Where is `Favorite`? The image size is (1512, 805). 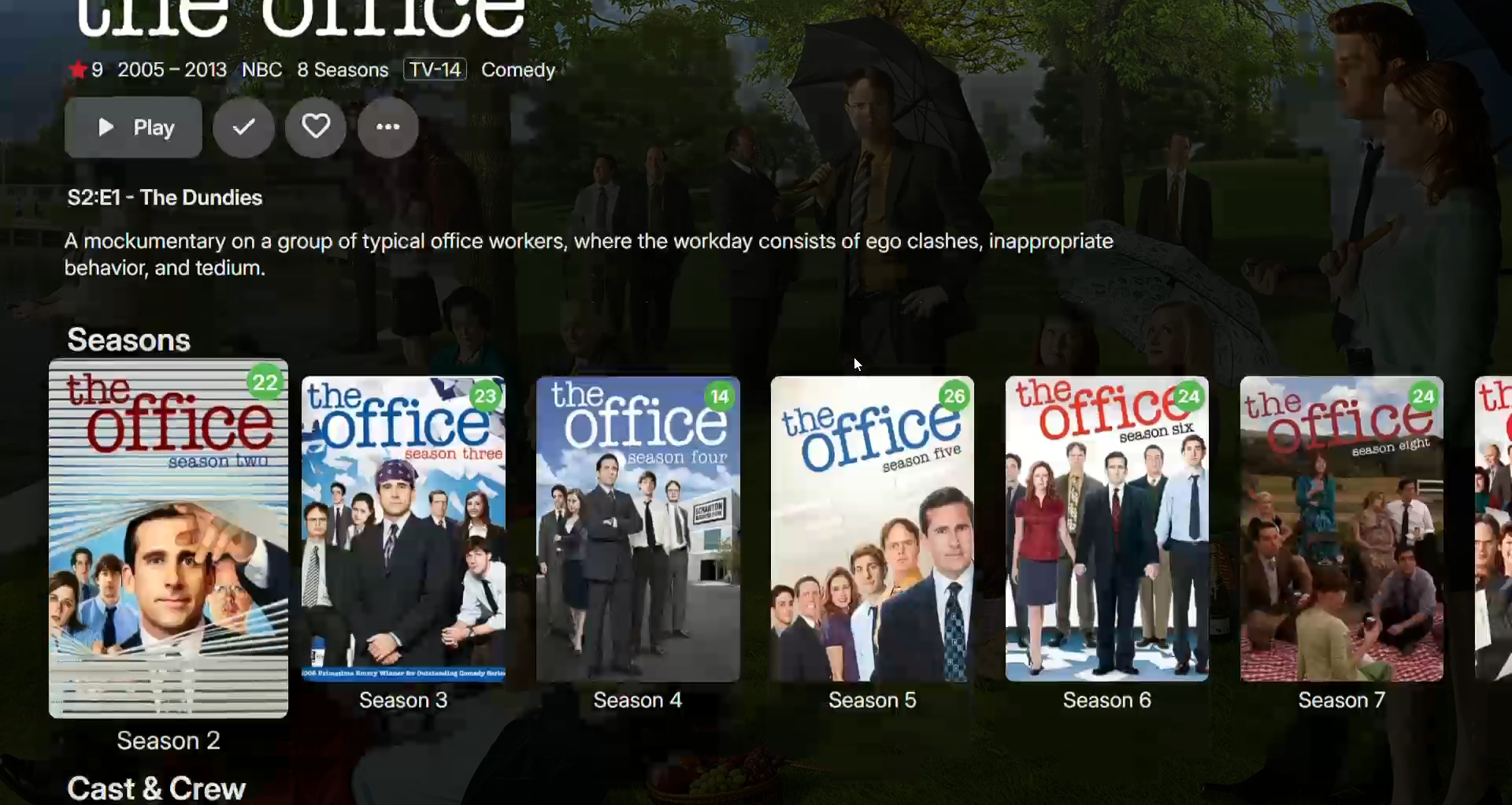 Favorite is located at coordinates (312, 132).